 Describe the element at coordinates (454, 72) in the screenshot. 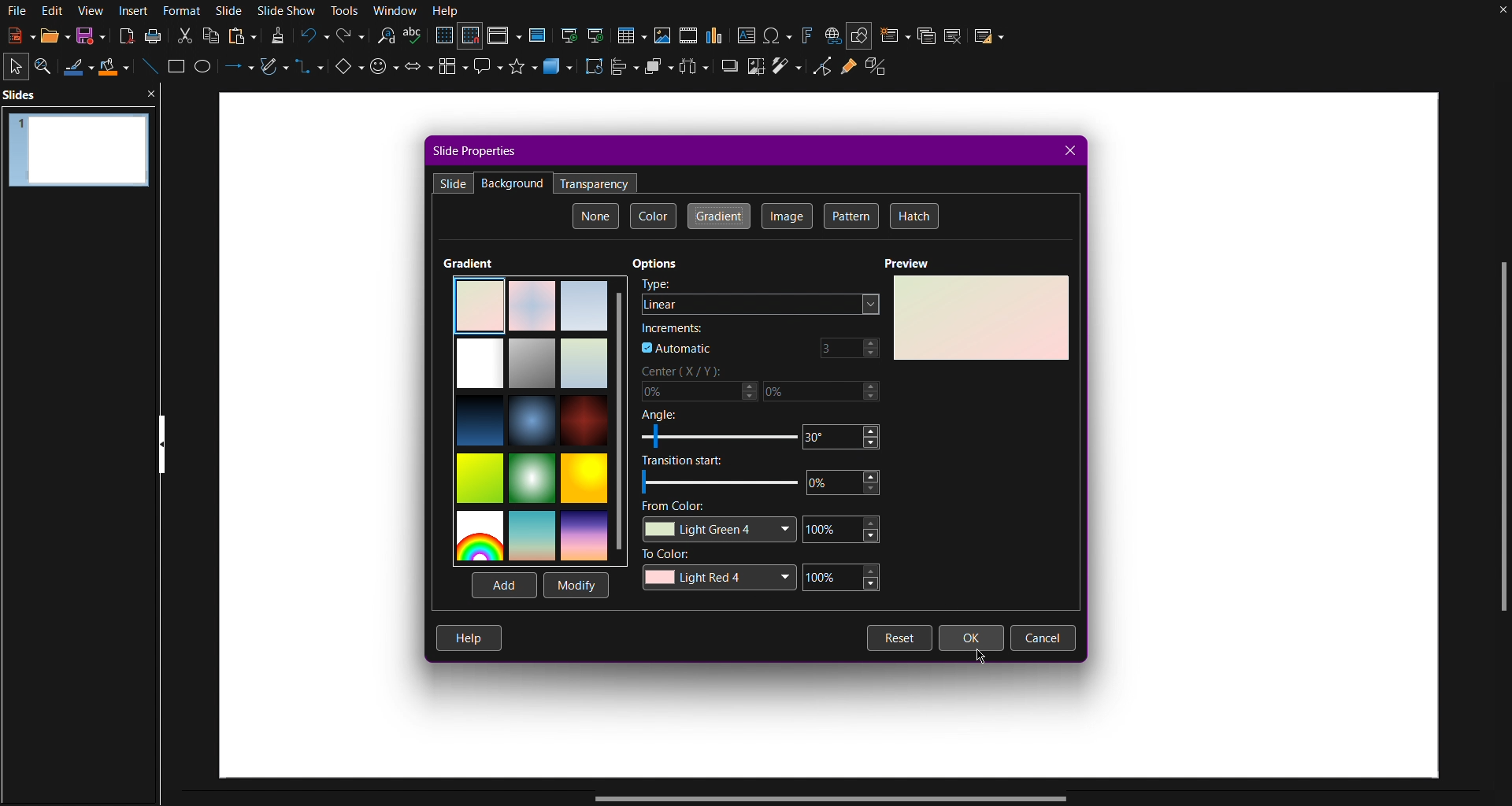

I see `Flowcharts` at that location.